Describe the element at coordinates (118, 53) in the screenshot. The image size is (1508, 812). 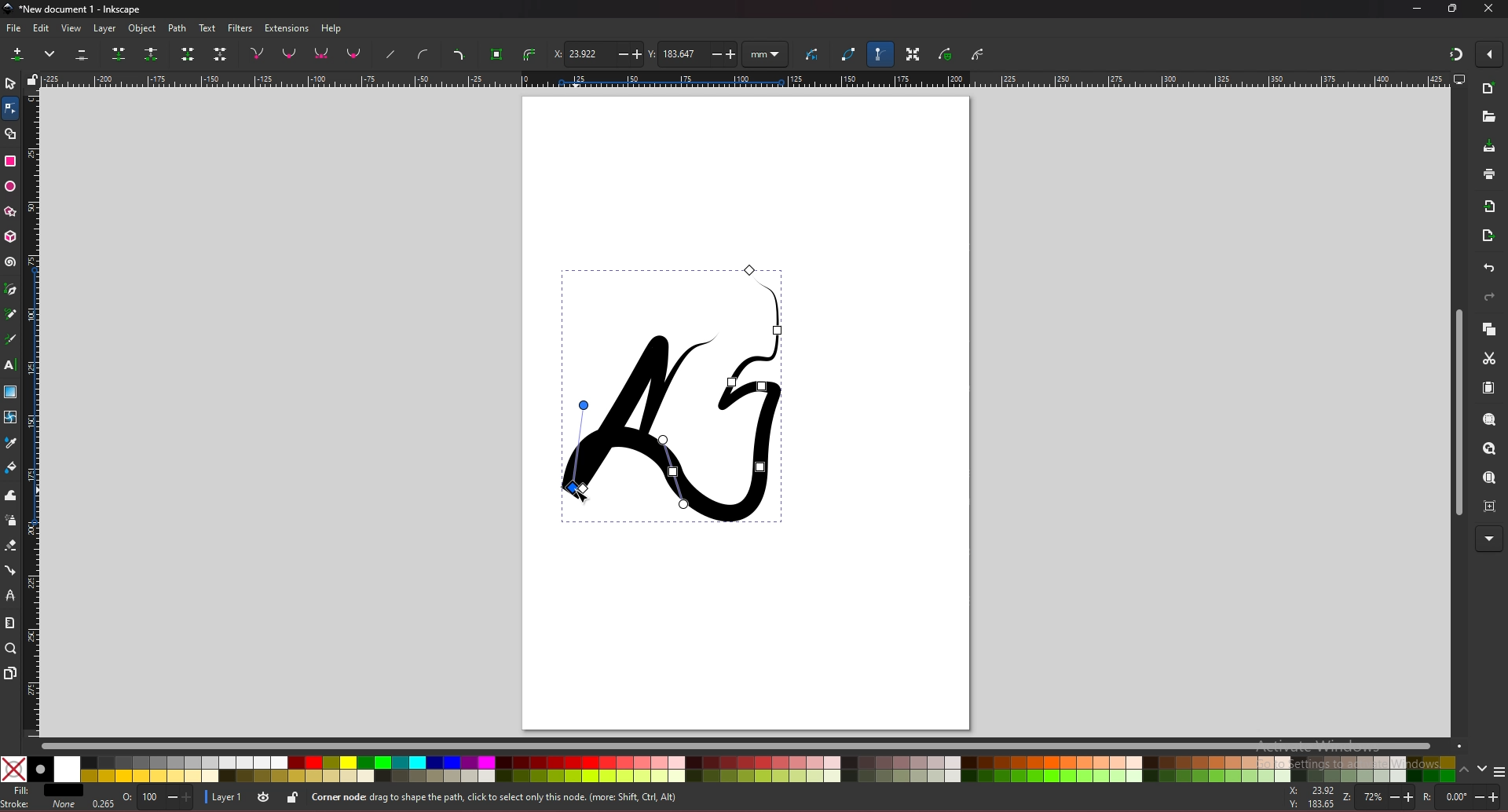
I see `join selected node` at that location.